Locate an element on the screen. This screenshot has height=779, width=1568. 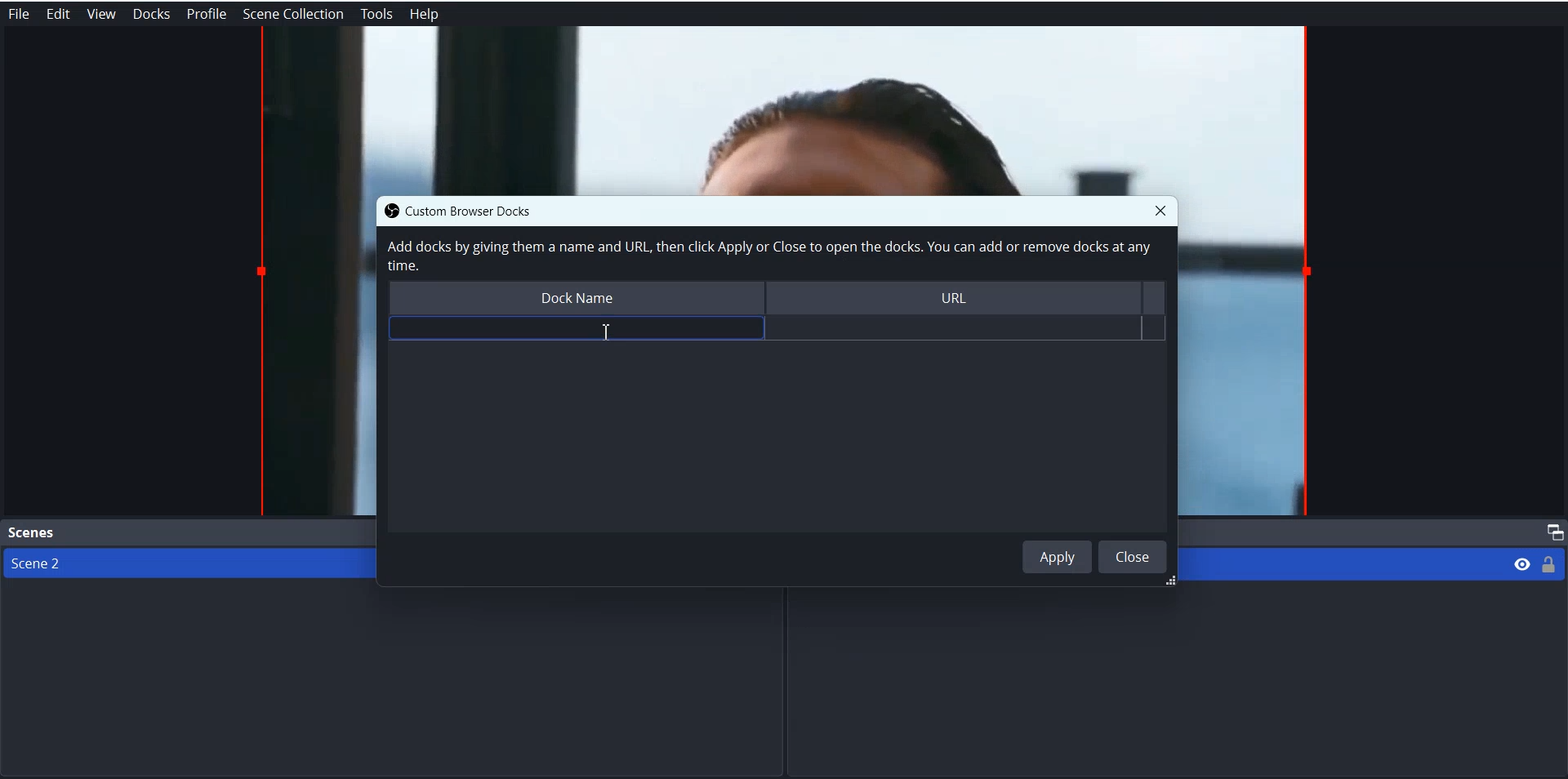
Text Cursor is located at coordinates (603, 332).